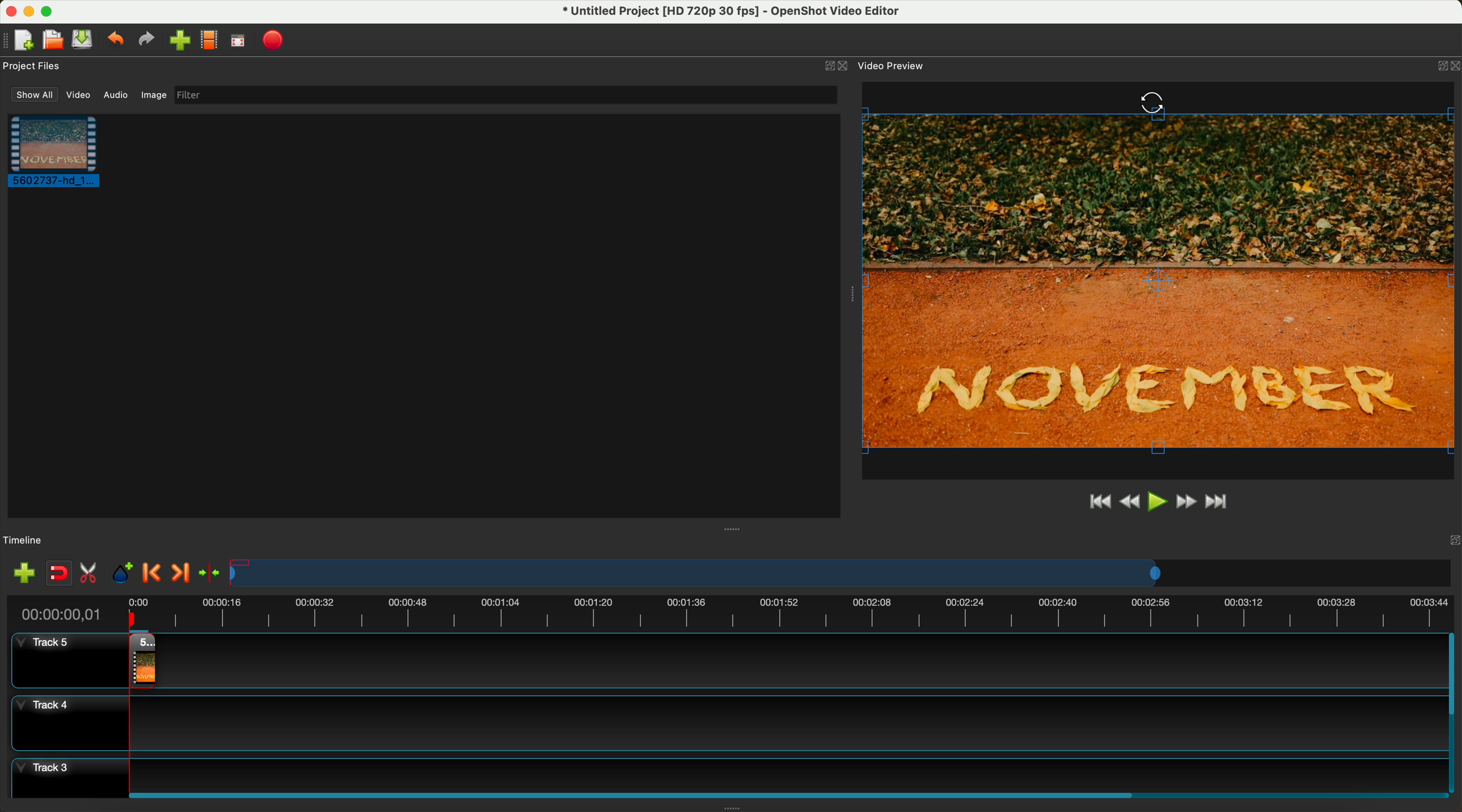 The image size is (1462, 812). Describe the element at coordinates (725, 725) in the screenshot. I see `track 4` at that location.